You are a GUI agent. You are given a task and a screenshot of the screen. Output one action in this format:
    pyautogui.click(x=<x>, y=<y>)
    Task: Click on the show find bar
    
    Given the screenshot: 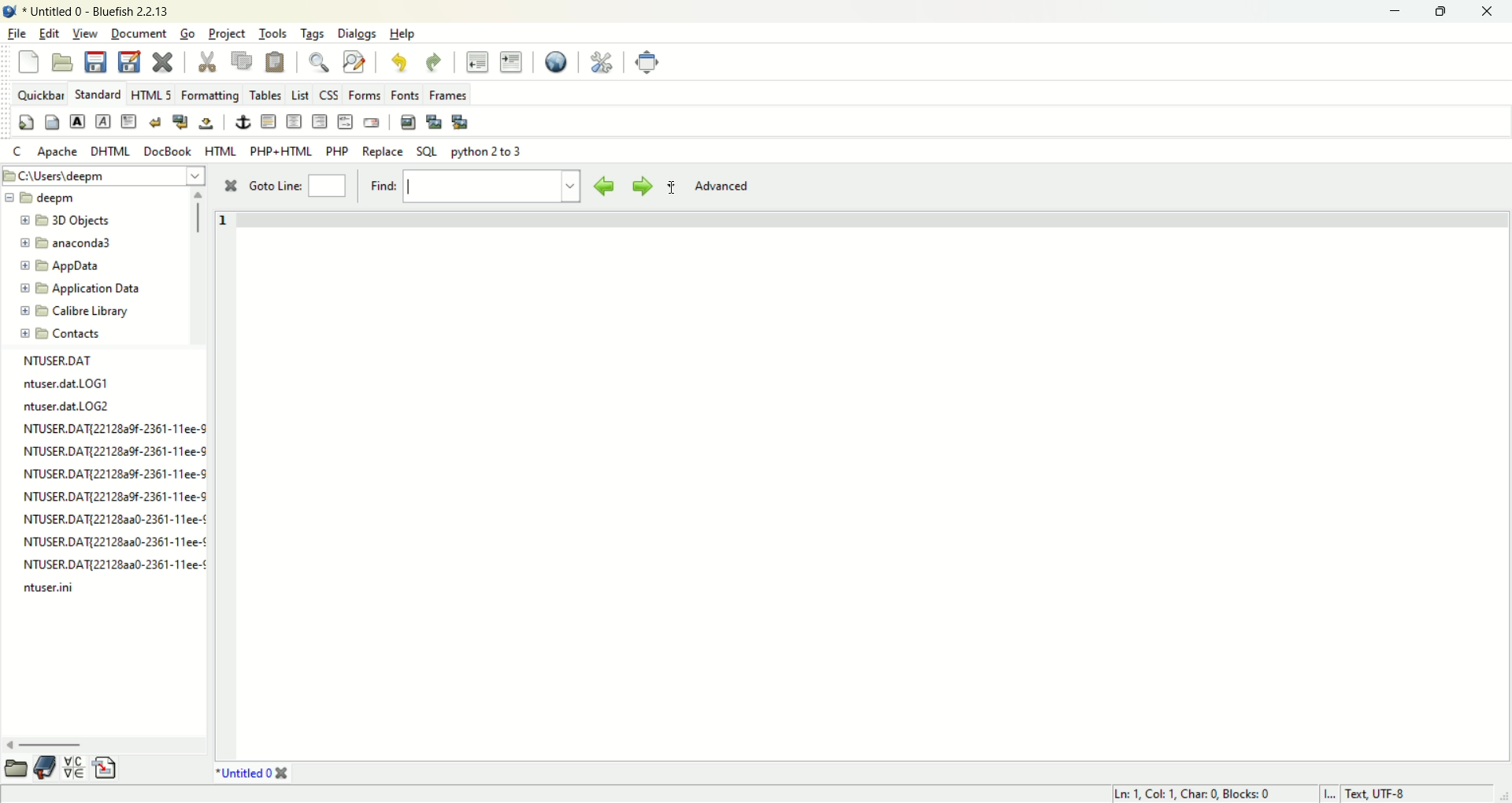 What is the action you would take?
    pyautogui.click(x=320, y=61)
    